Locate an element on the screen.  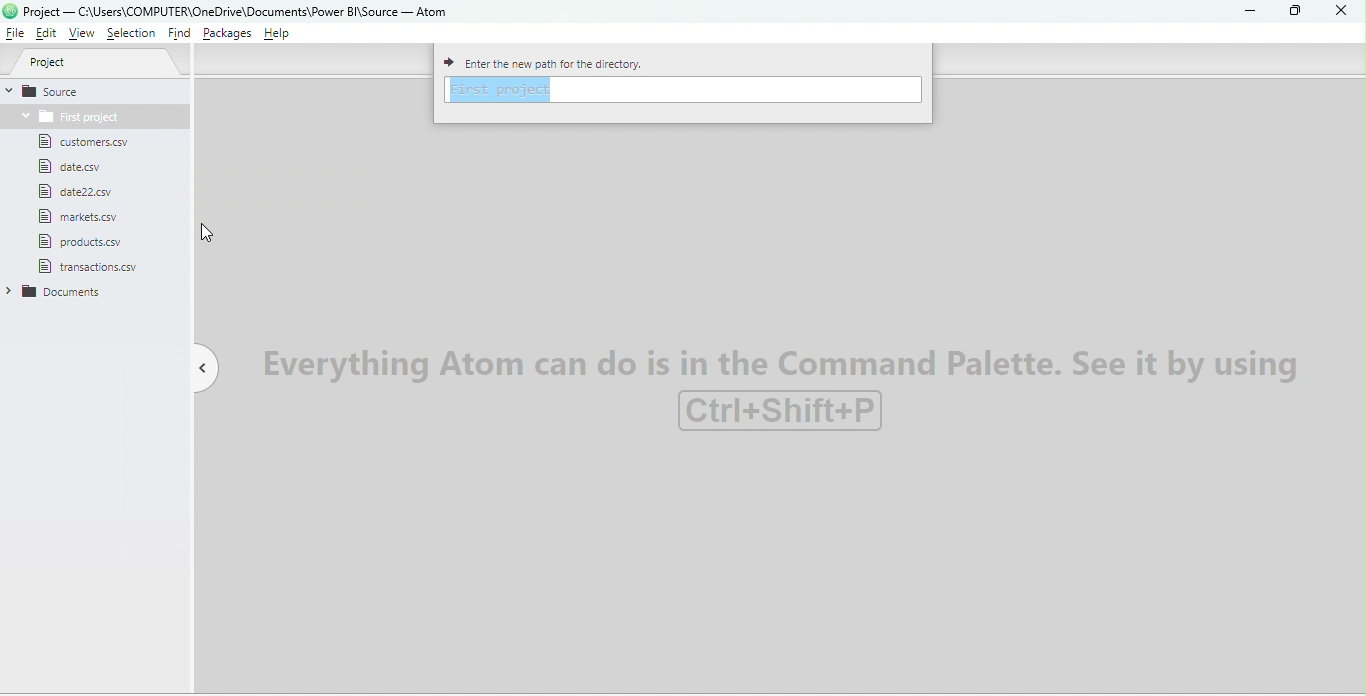
File is located at coordinates (90, 142).